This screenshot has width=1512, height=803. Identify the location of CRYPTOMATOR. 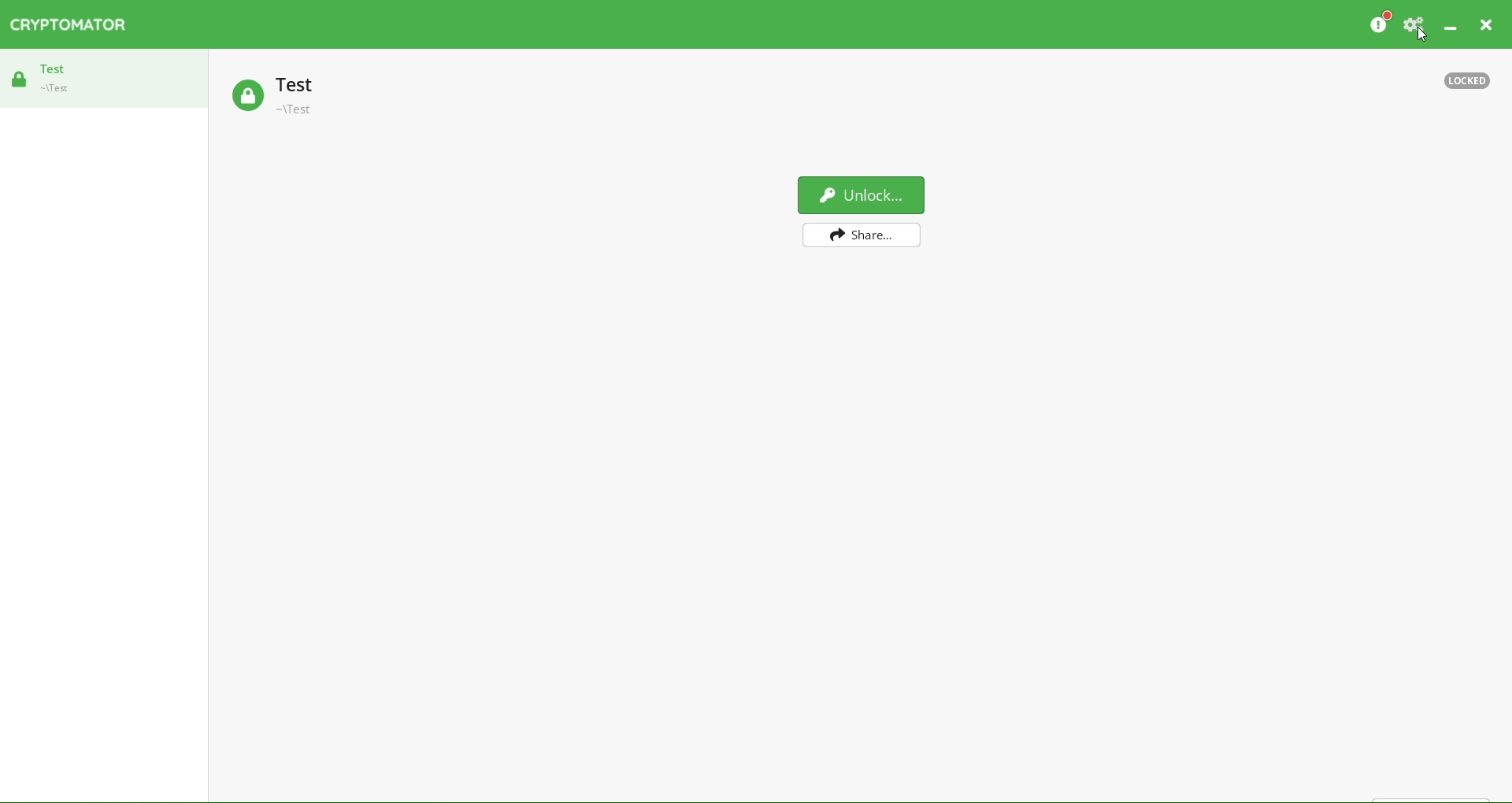
(73, 24).